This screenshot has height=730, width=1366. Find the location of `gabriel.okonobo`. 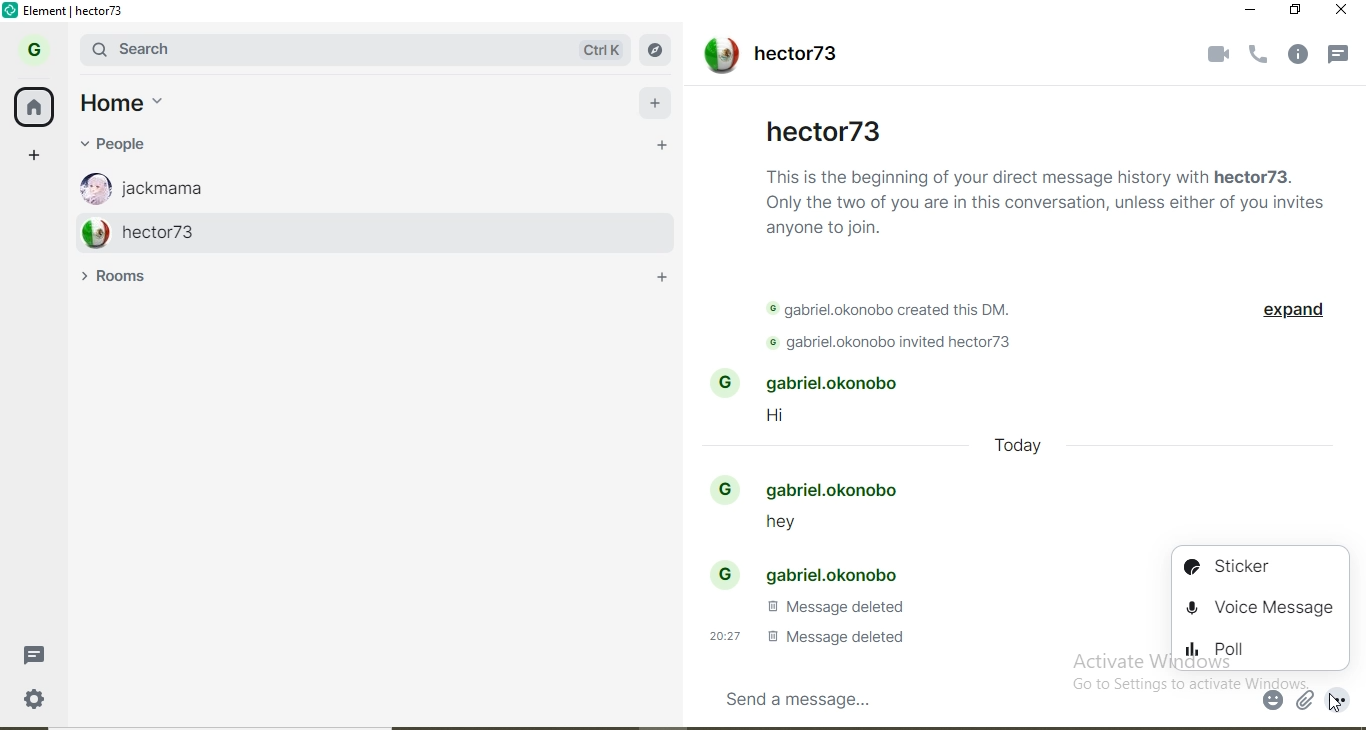

gabriel.okonobo is located at coordinates (811, 572).